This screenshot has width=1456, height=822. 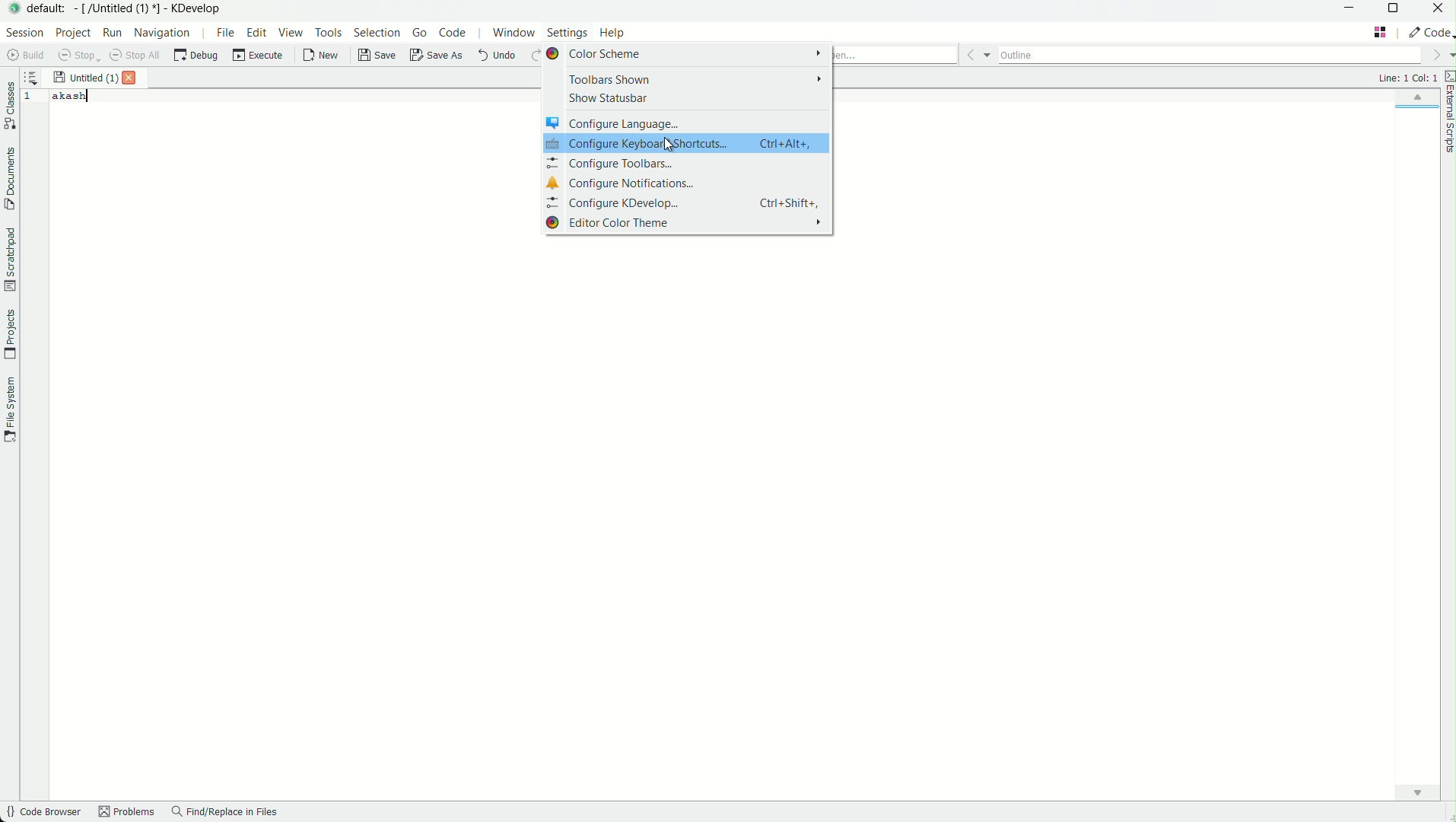 I want to click on outline, so click(x=1210, y=53).